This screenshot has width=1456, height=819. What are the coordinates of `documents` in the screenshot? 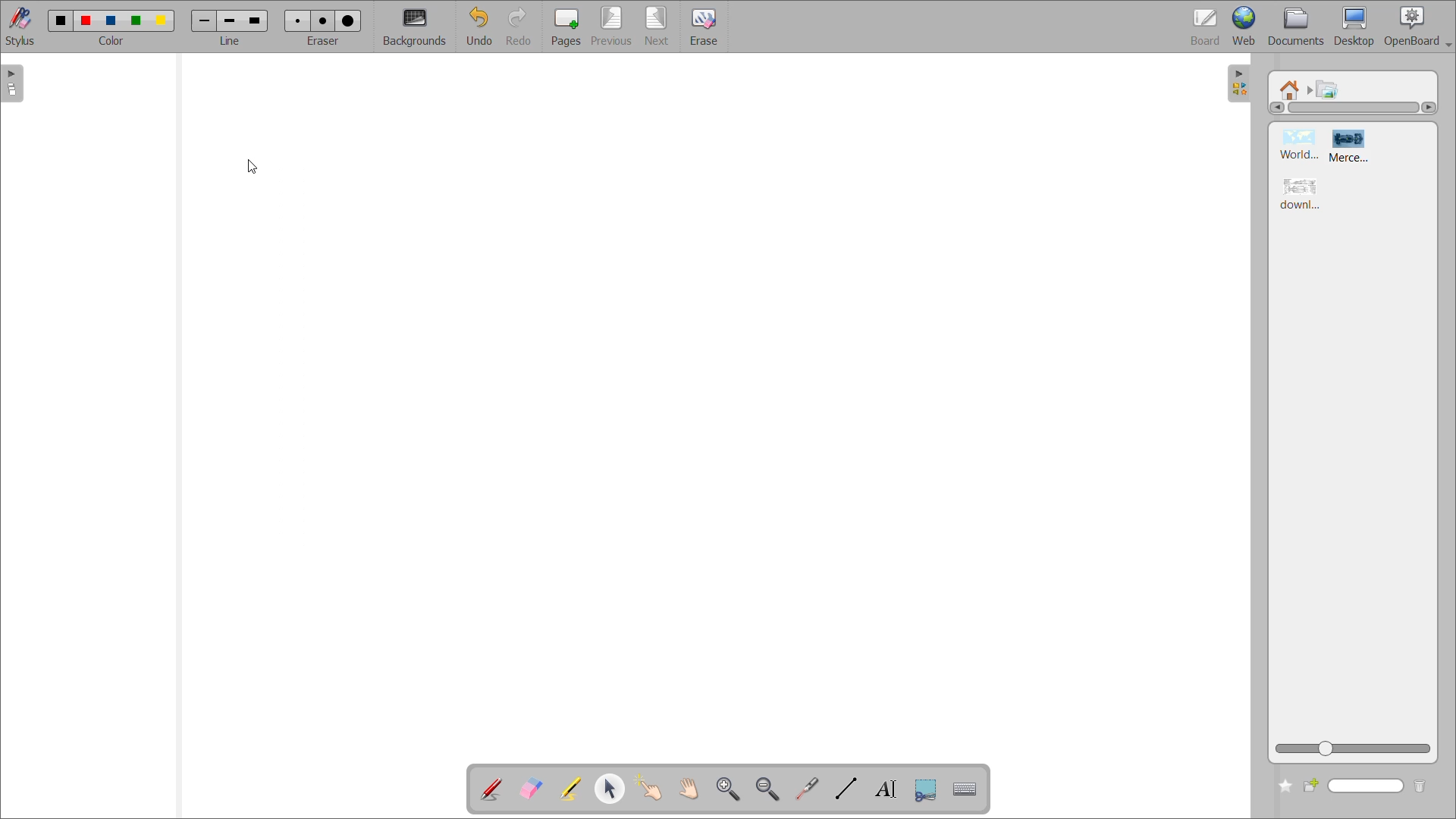 It's located at (1296, 24).